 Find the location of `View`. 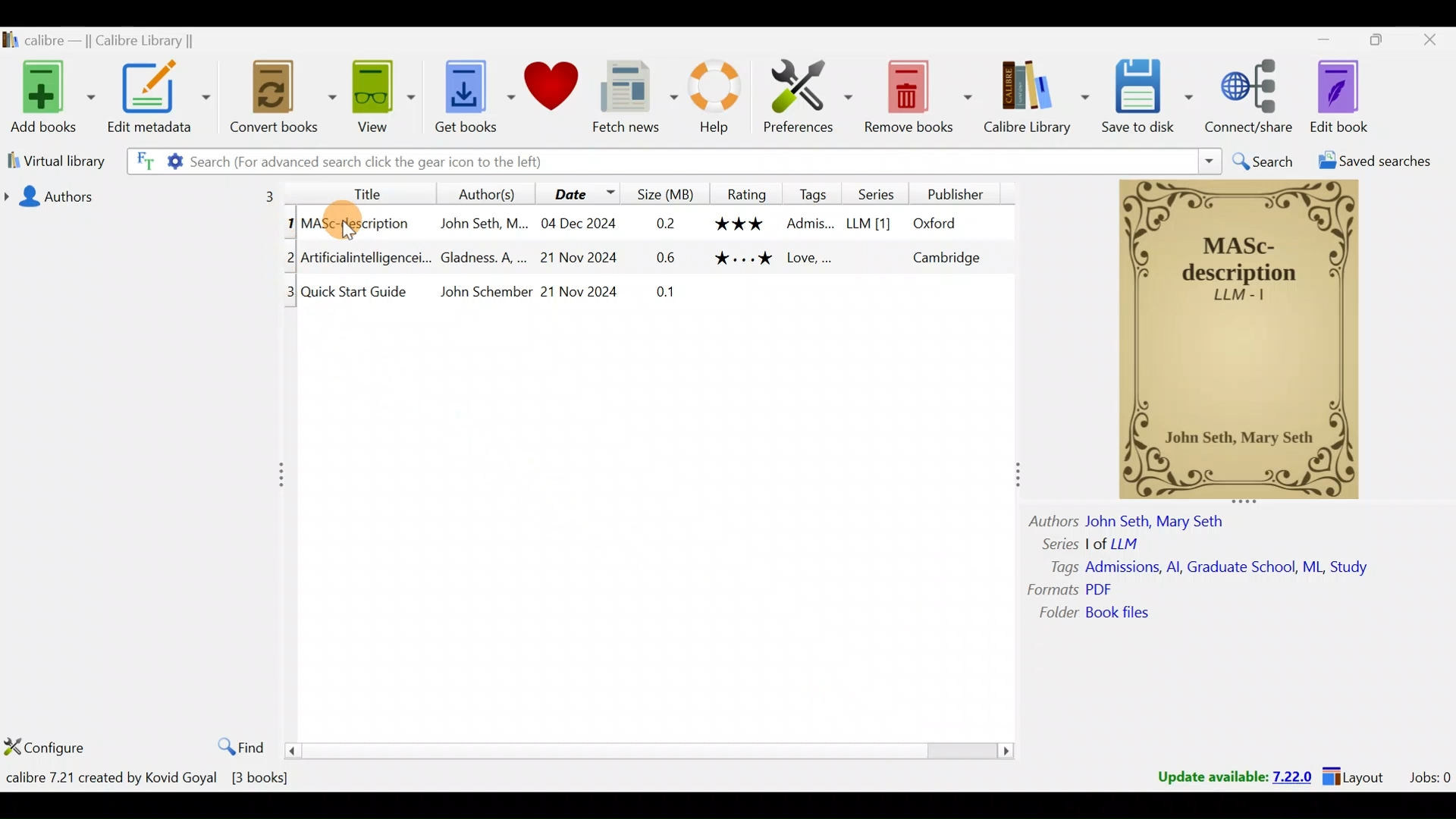

View is located at coordinates (384, 97).